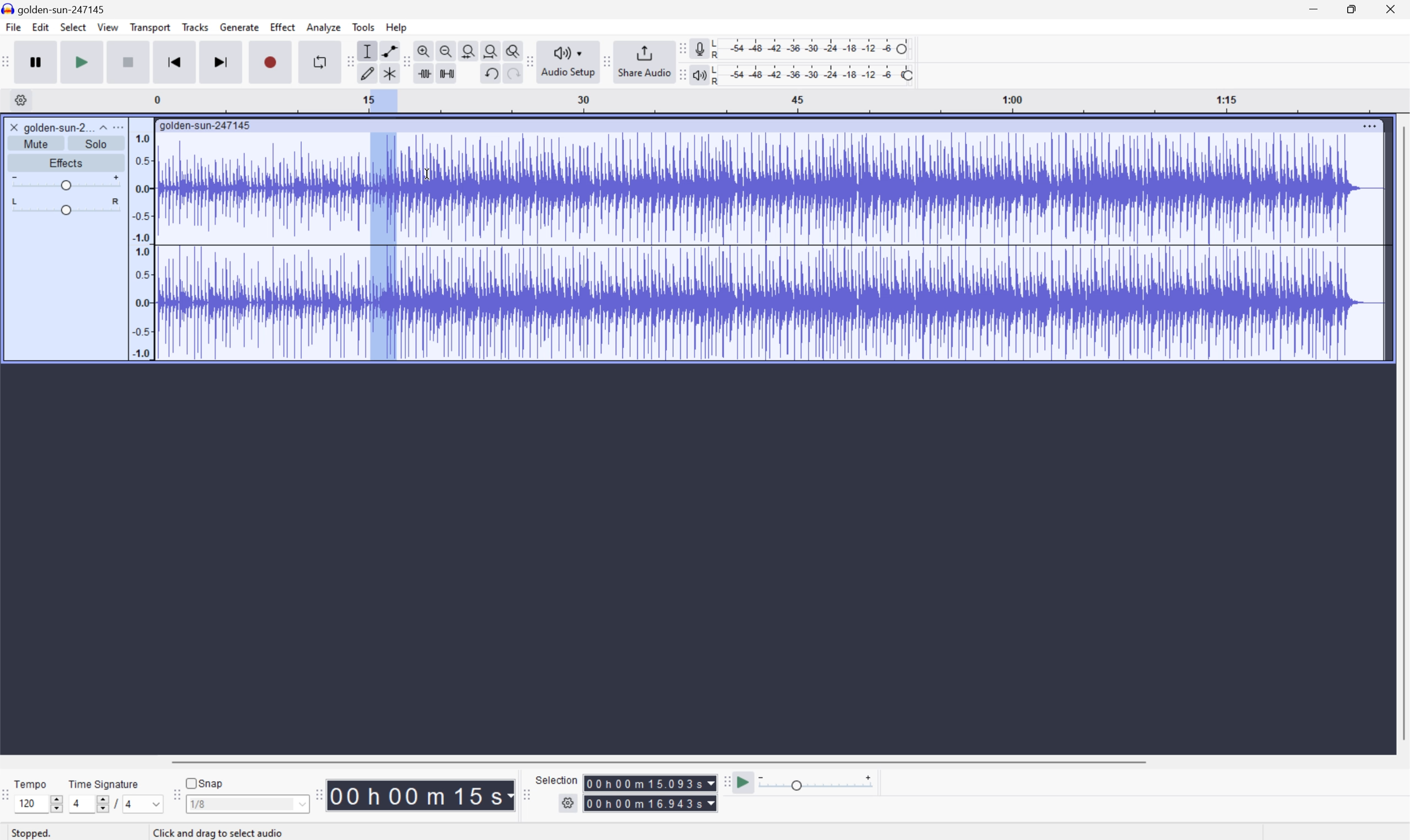 The image size is (1410, 840). Describe the element at coordinates (174, 799) in the screenshot. I see `Audacity Snapping toolbar` at that location.